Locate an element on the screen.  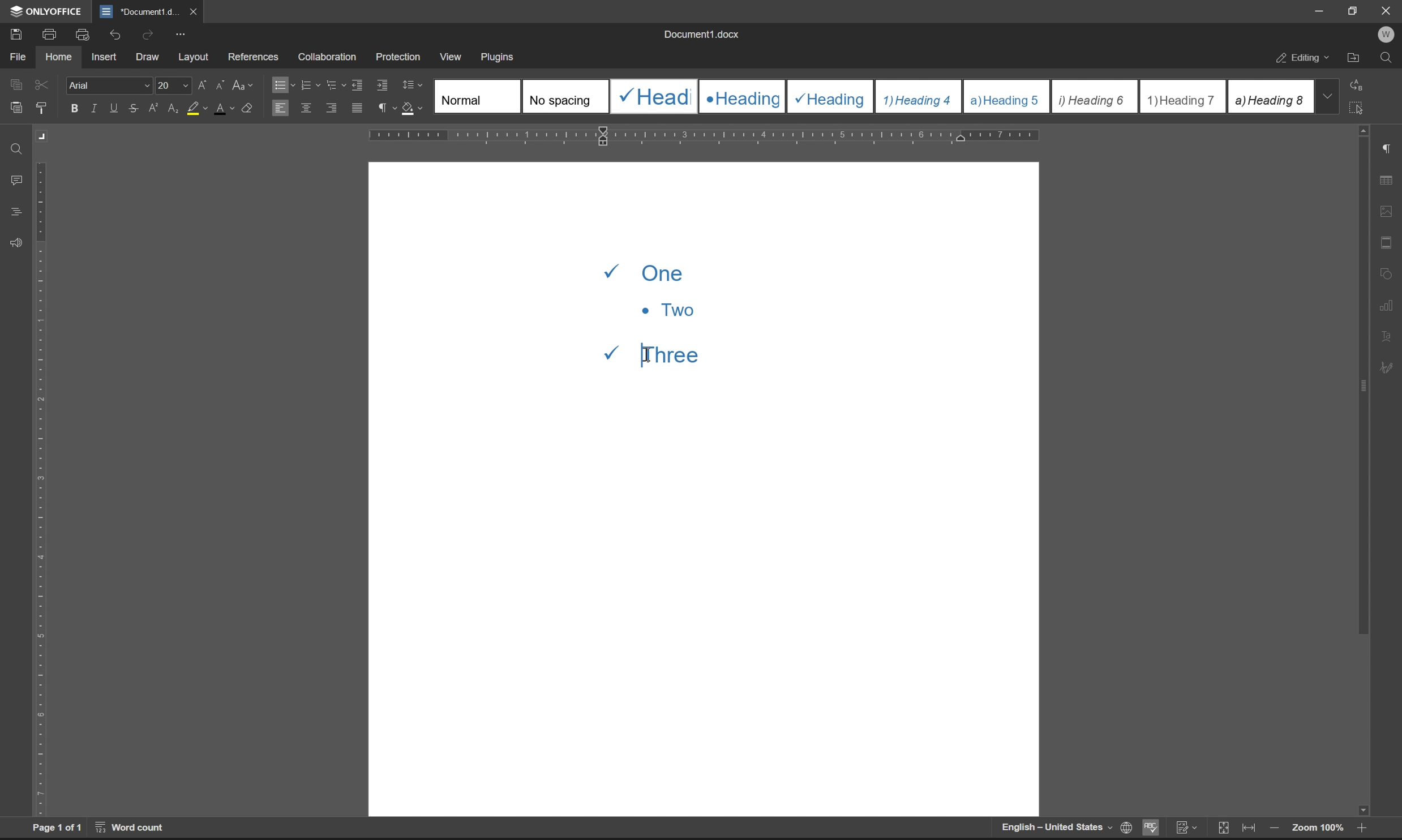
clear style is located at coordinates (248, 106).